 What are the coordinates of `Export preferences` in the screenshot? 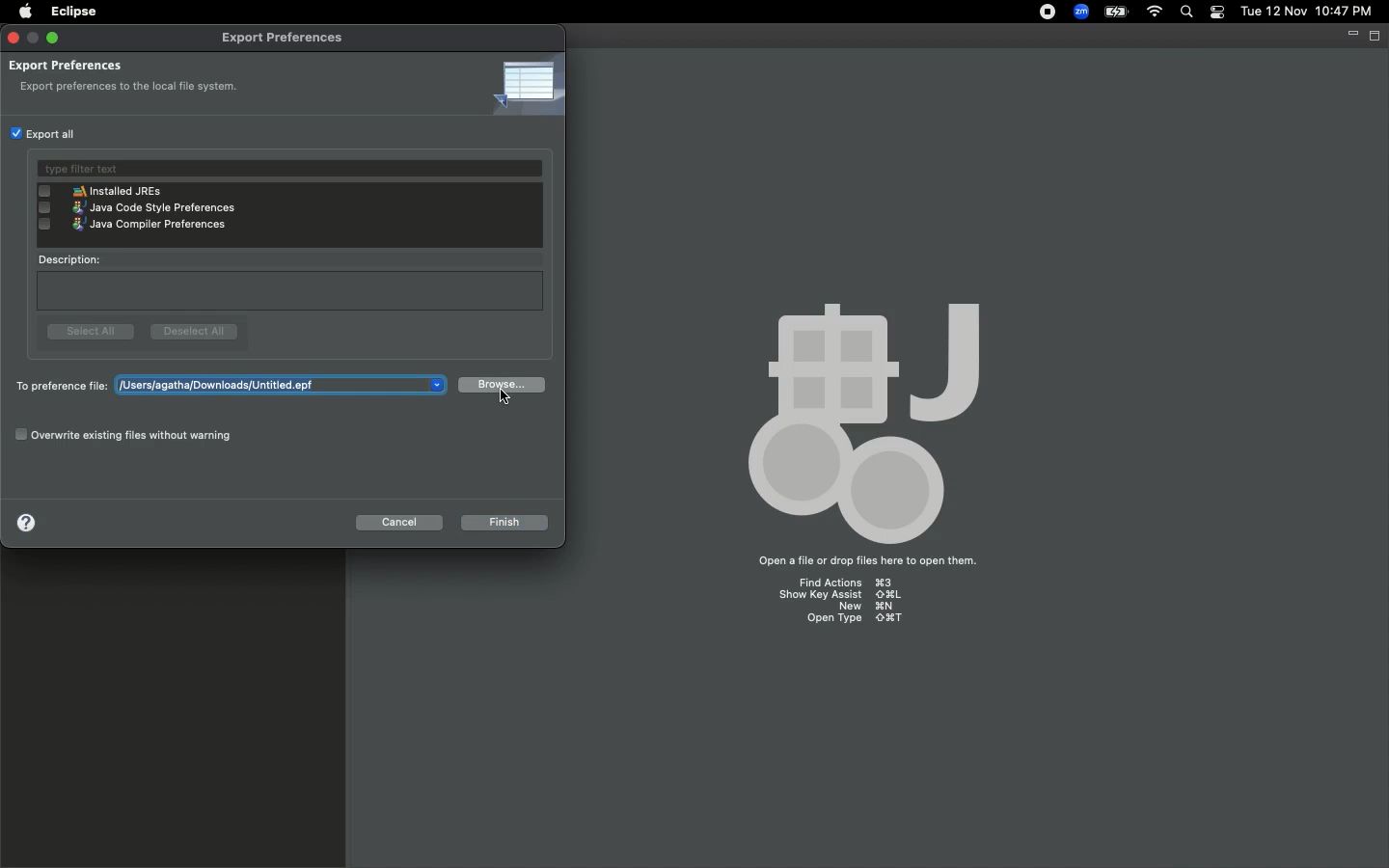 It's located at (69, 66).